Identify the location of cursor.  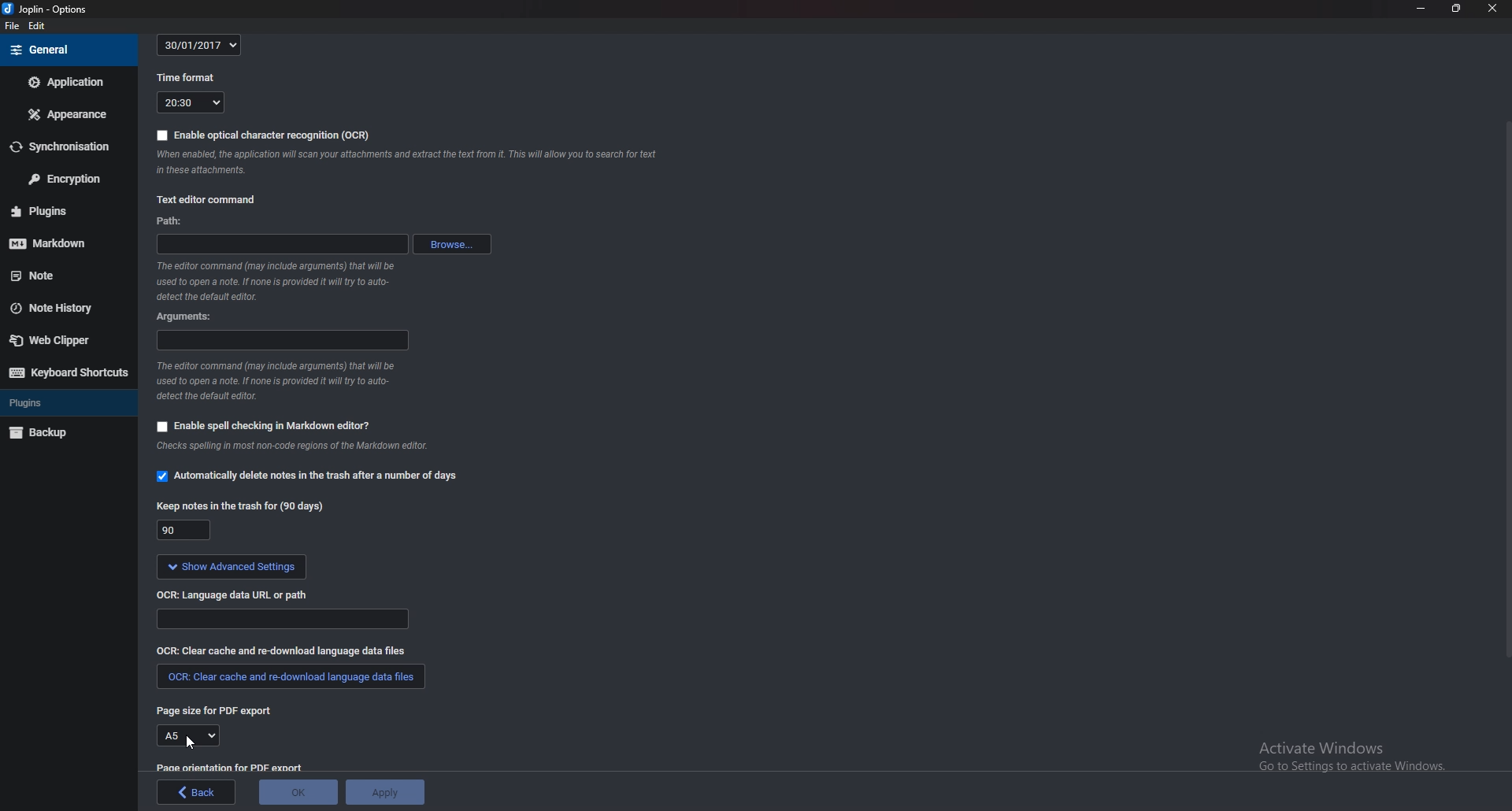
(190, 742).